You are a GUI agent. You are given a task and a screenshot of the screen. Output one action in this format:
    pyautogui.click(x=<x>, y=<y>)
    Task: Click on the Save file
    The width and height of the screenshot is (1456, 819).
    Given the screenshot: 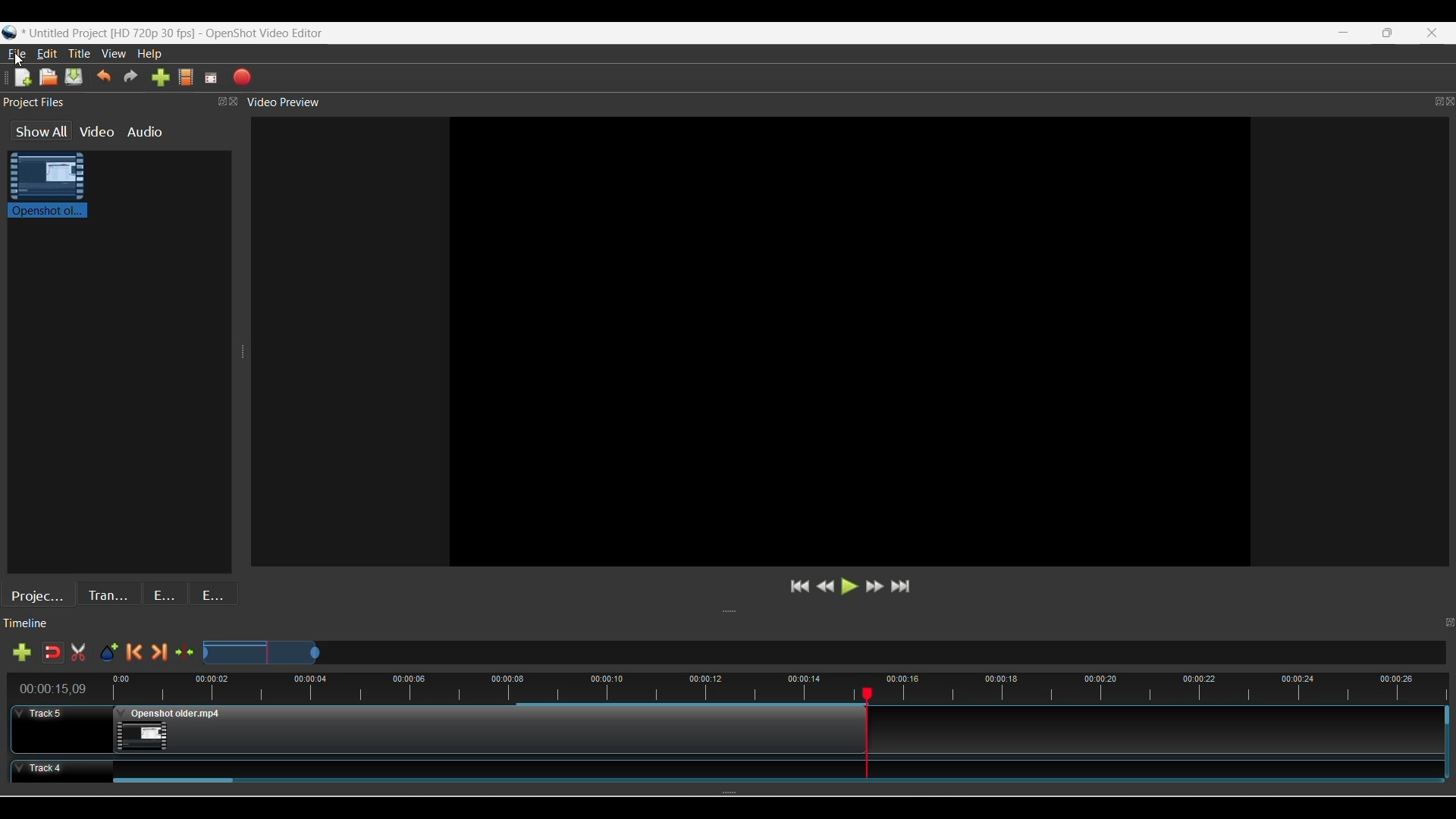 What is the action you would take?
    pyautogui.click(x=74, y=77)
    